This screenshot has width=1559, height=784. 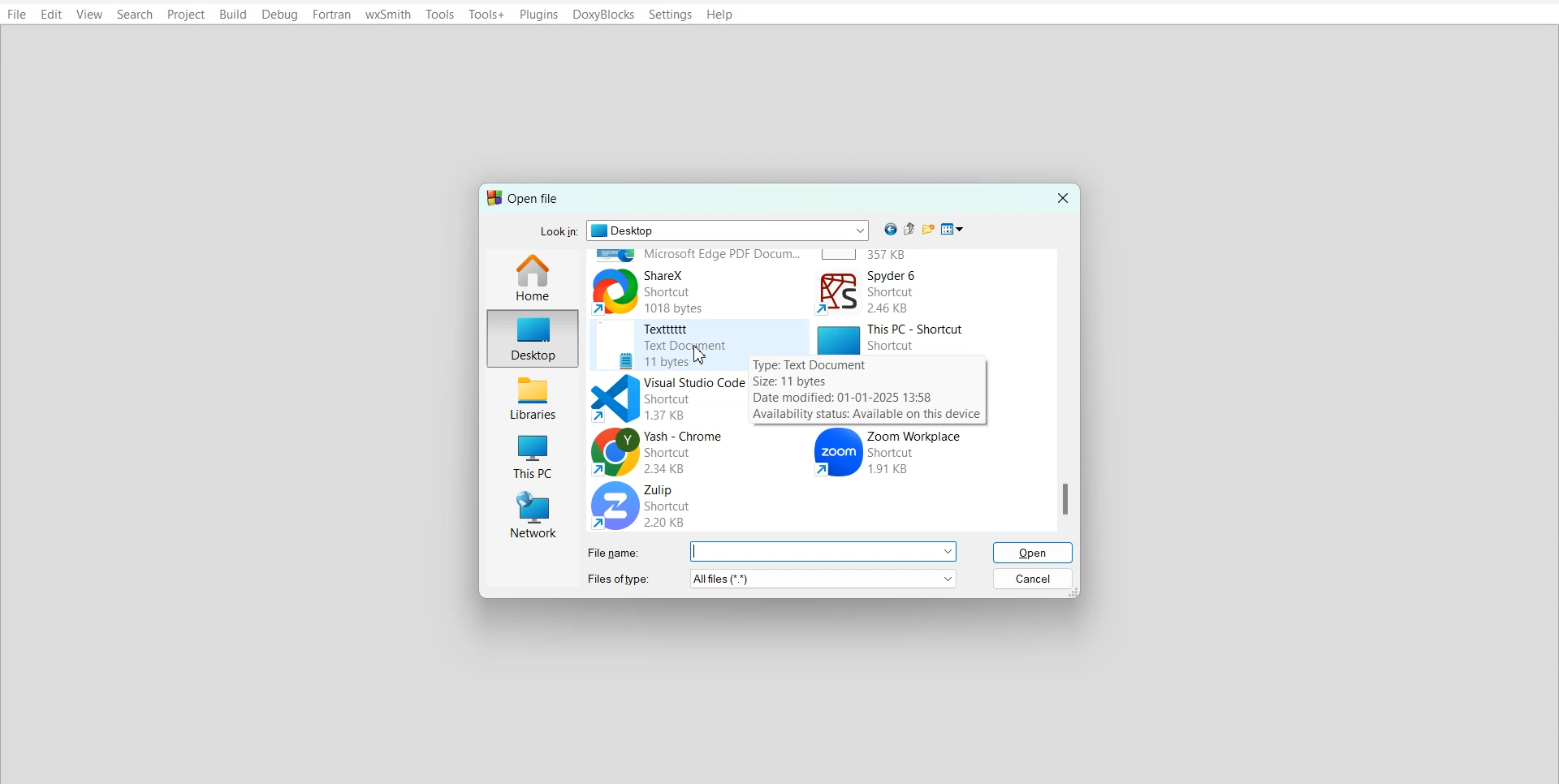 I want to click on File name, so click(x=616, y=551).